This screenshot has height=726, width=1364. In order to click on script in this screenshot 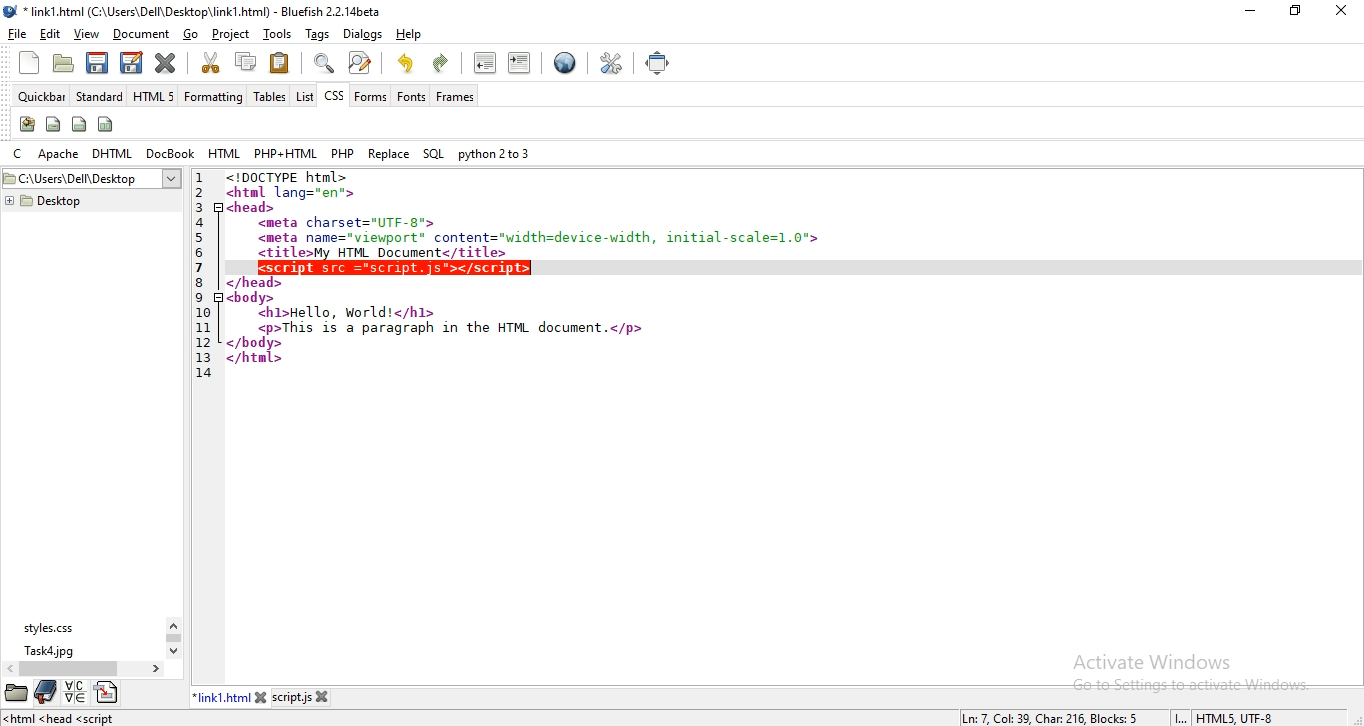, I will do `click(292, 697)`.